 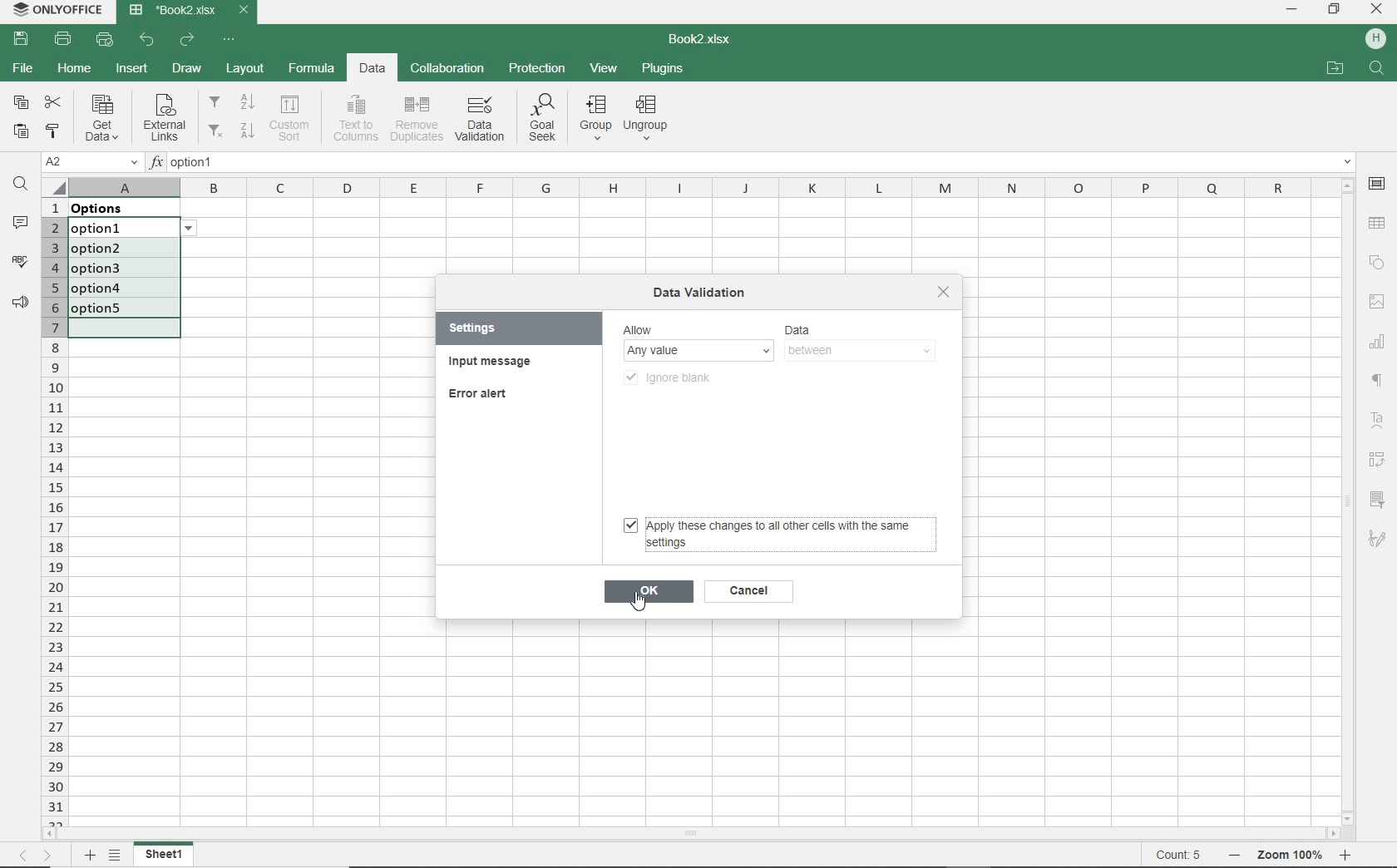 I want to click on CELL SETTINGS, so click(x=1377, y=185).